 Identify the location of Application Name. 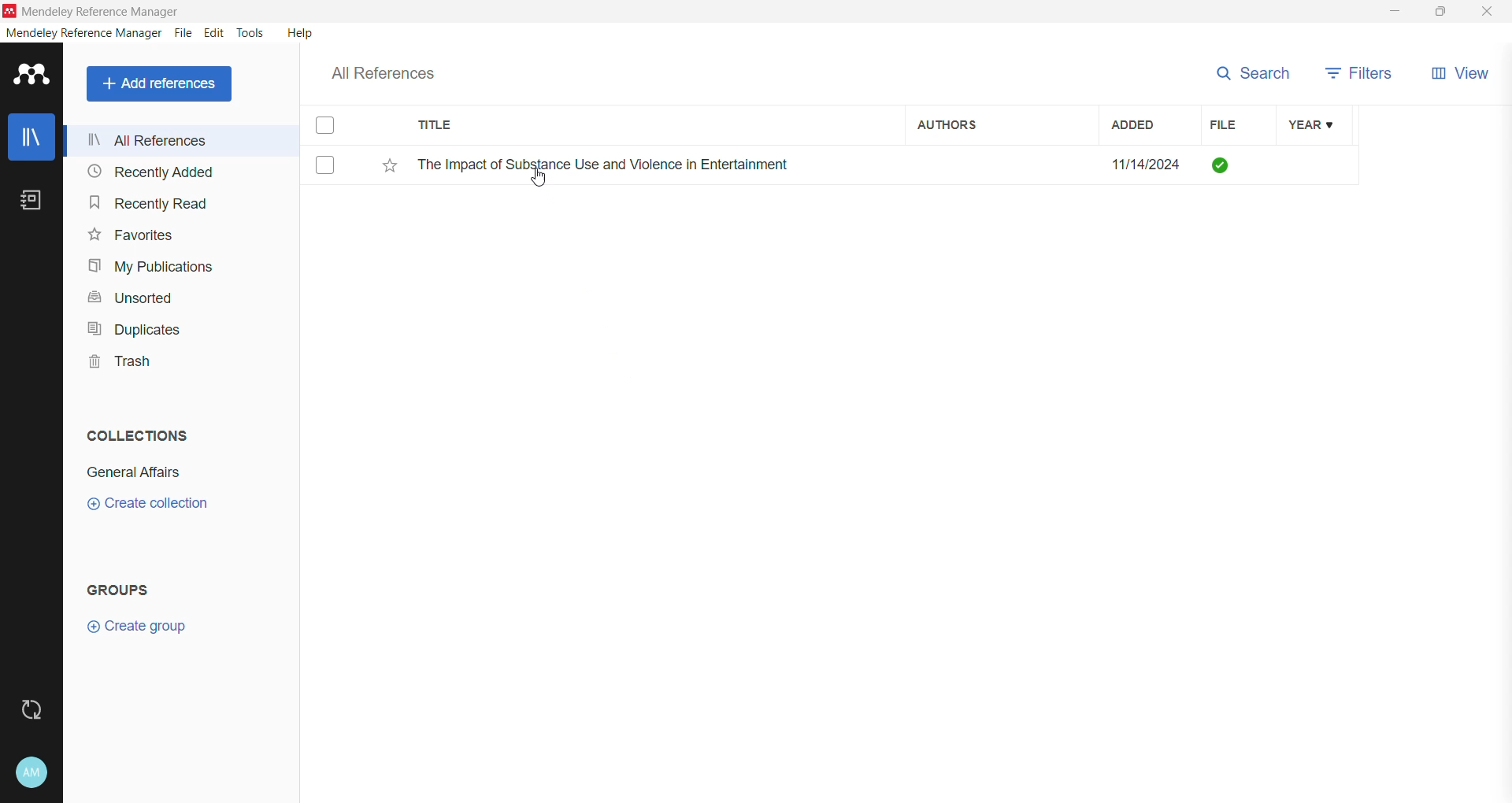
(94, 11).